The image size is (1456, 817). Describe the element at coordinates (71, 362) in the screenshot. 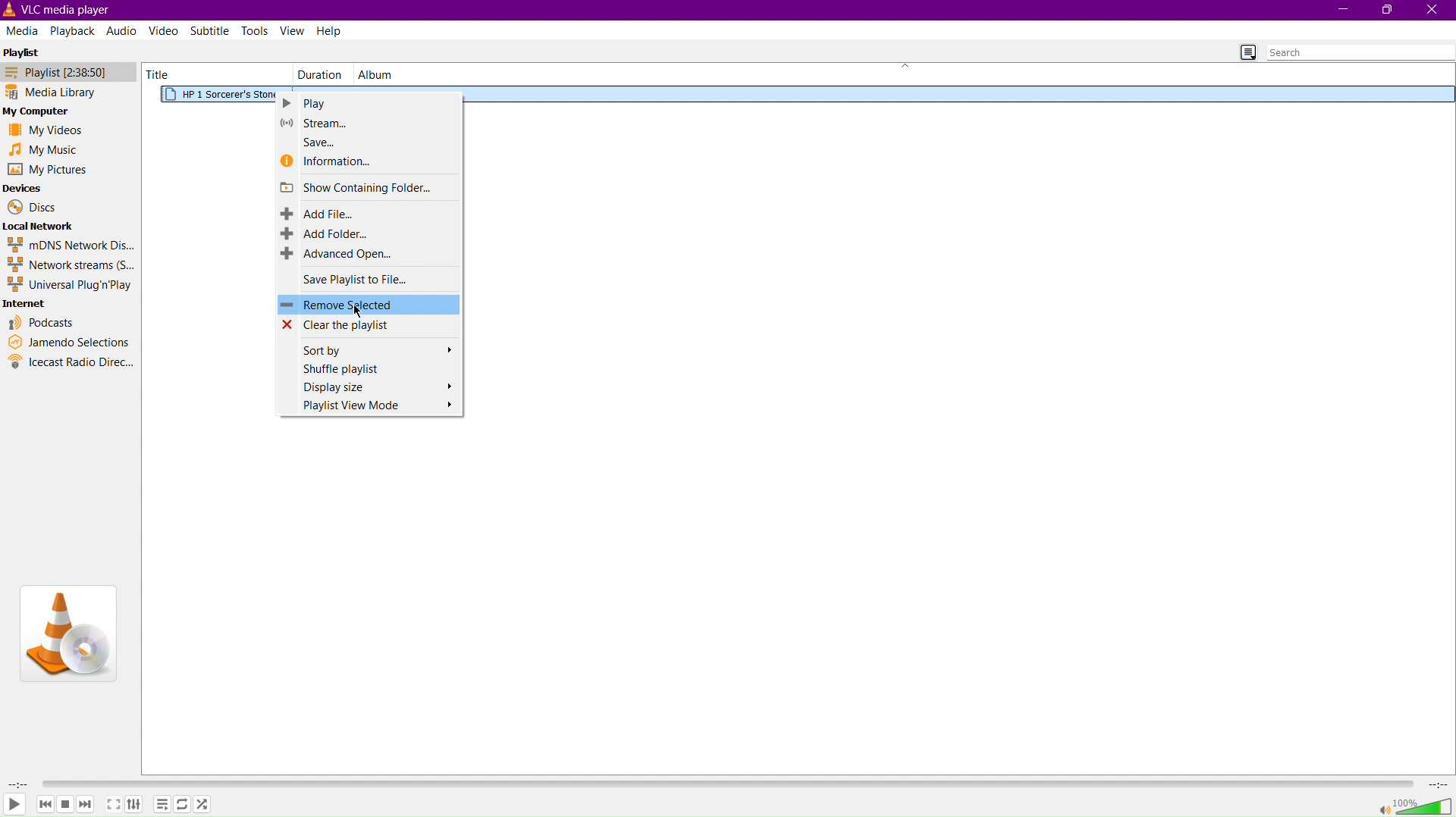

I see `Icecast Radio Directory` at that location.